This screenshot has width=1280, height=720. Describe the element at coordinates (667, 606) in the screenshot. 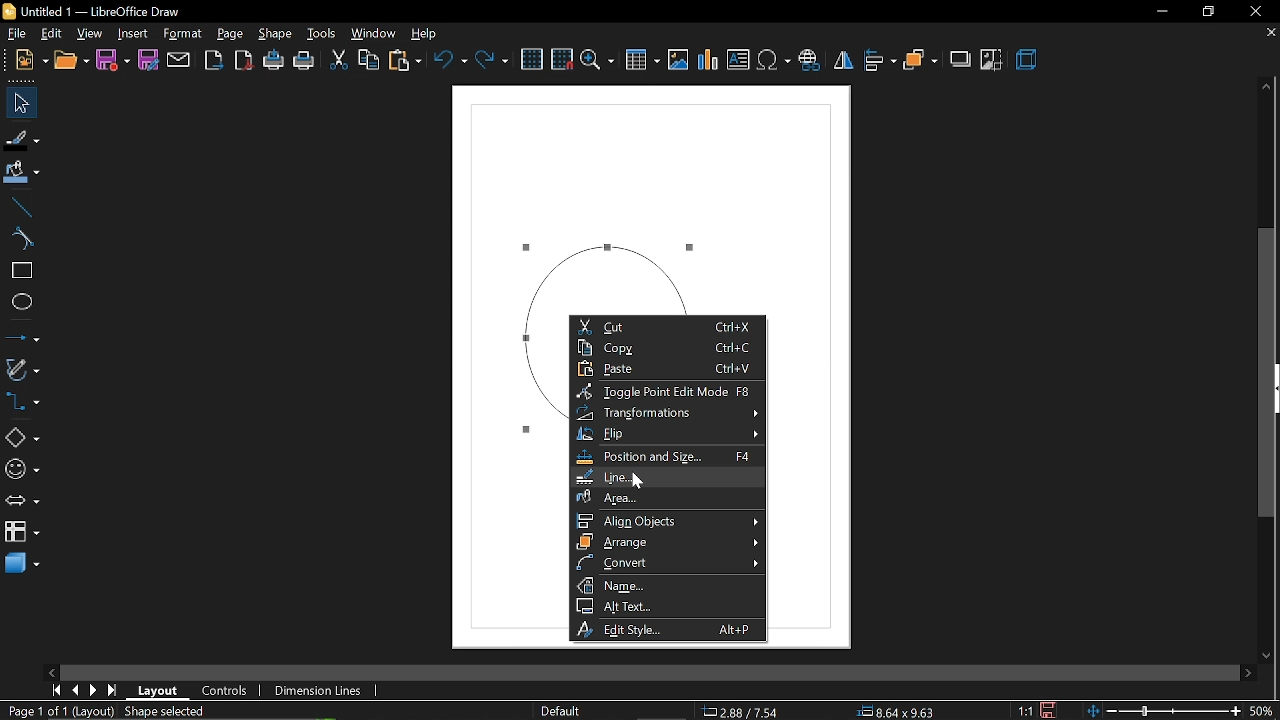

I see `alt text` at that location.